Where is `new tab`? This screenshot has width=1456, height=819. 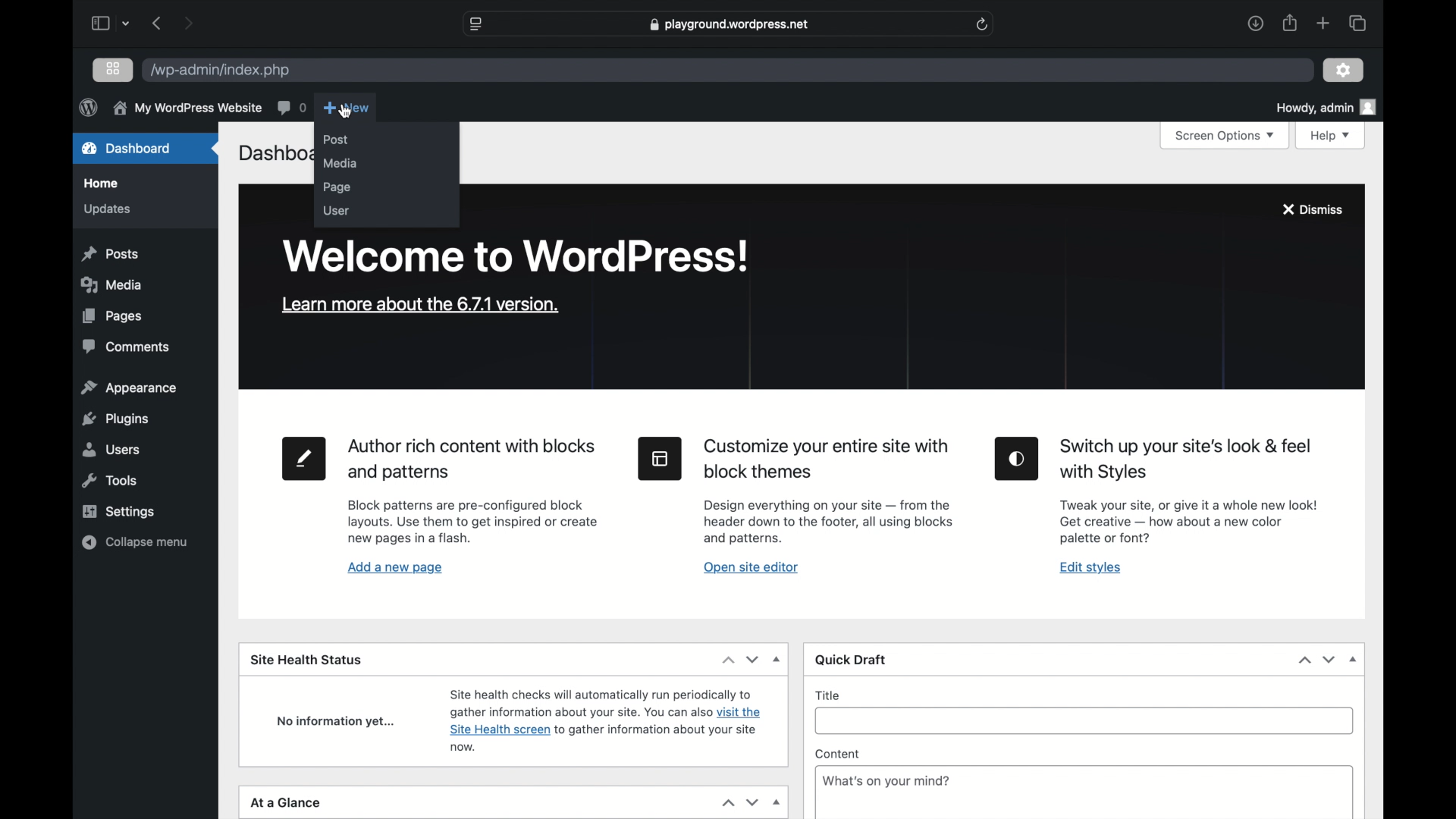
new tab is located at coordinates (1323, 23).